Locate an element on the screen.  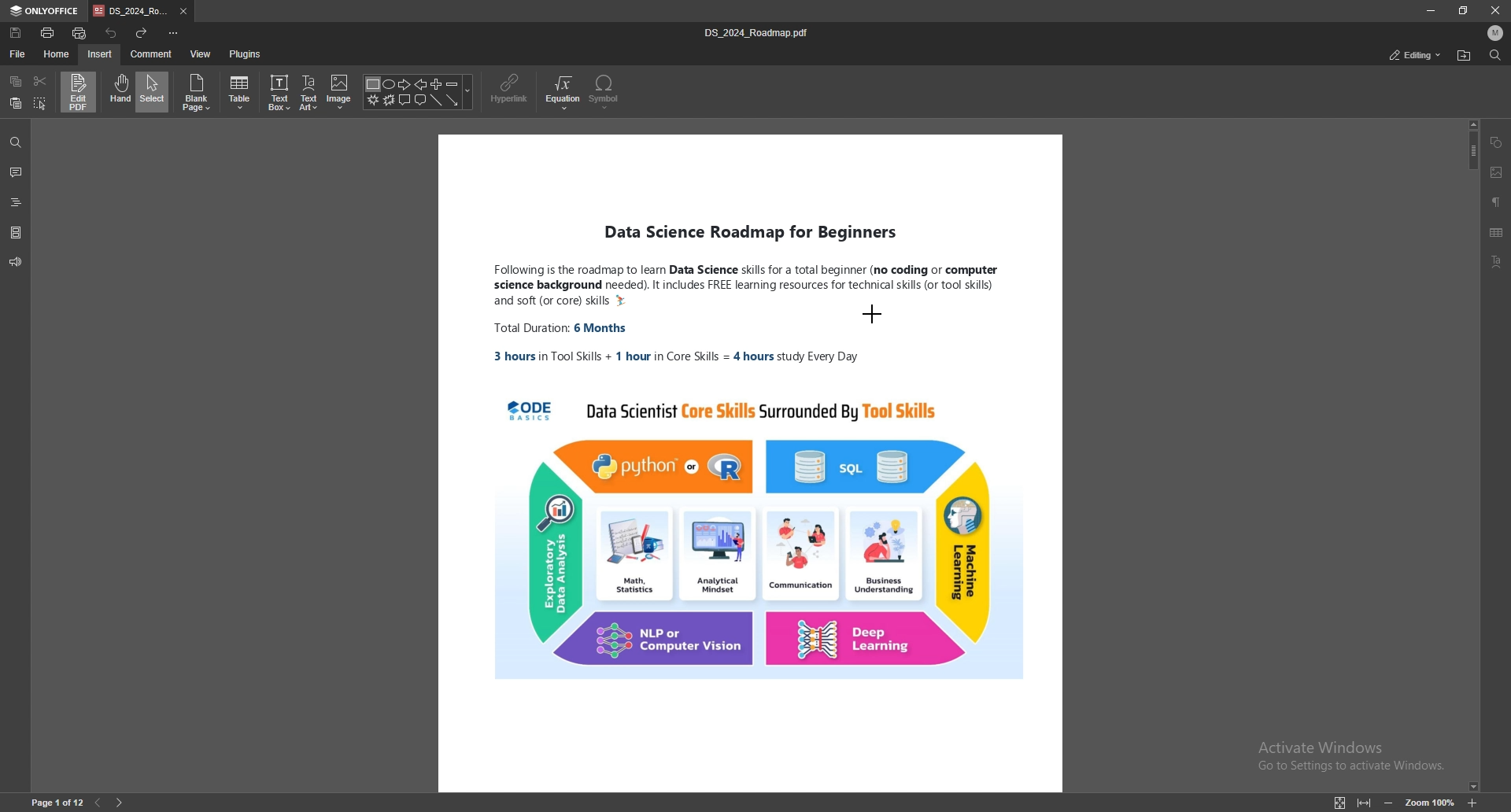
quick print is located at coordinates (83, 31).